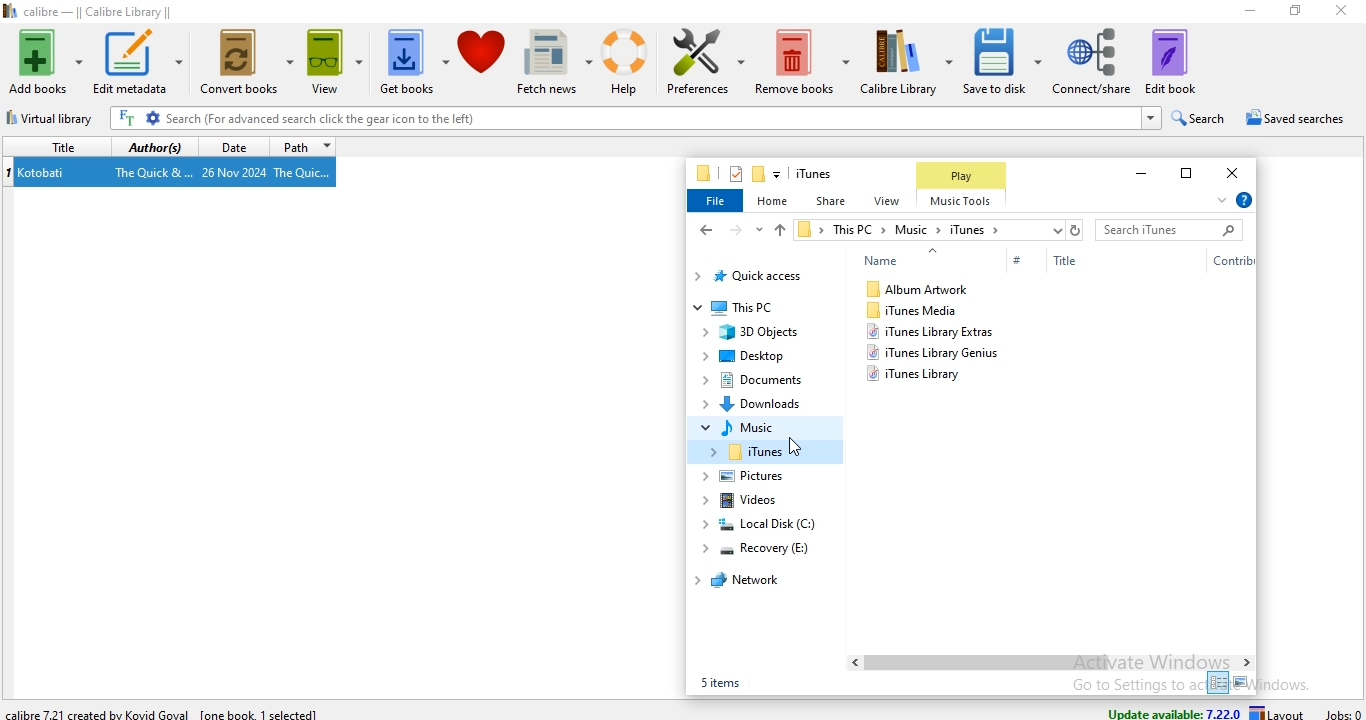  Describe the element at coordinates (827, 174) in the screenshot. I see `file name` at that location.